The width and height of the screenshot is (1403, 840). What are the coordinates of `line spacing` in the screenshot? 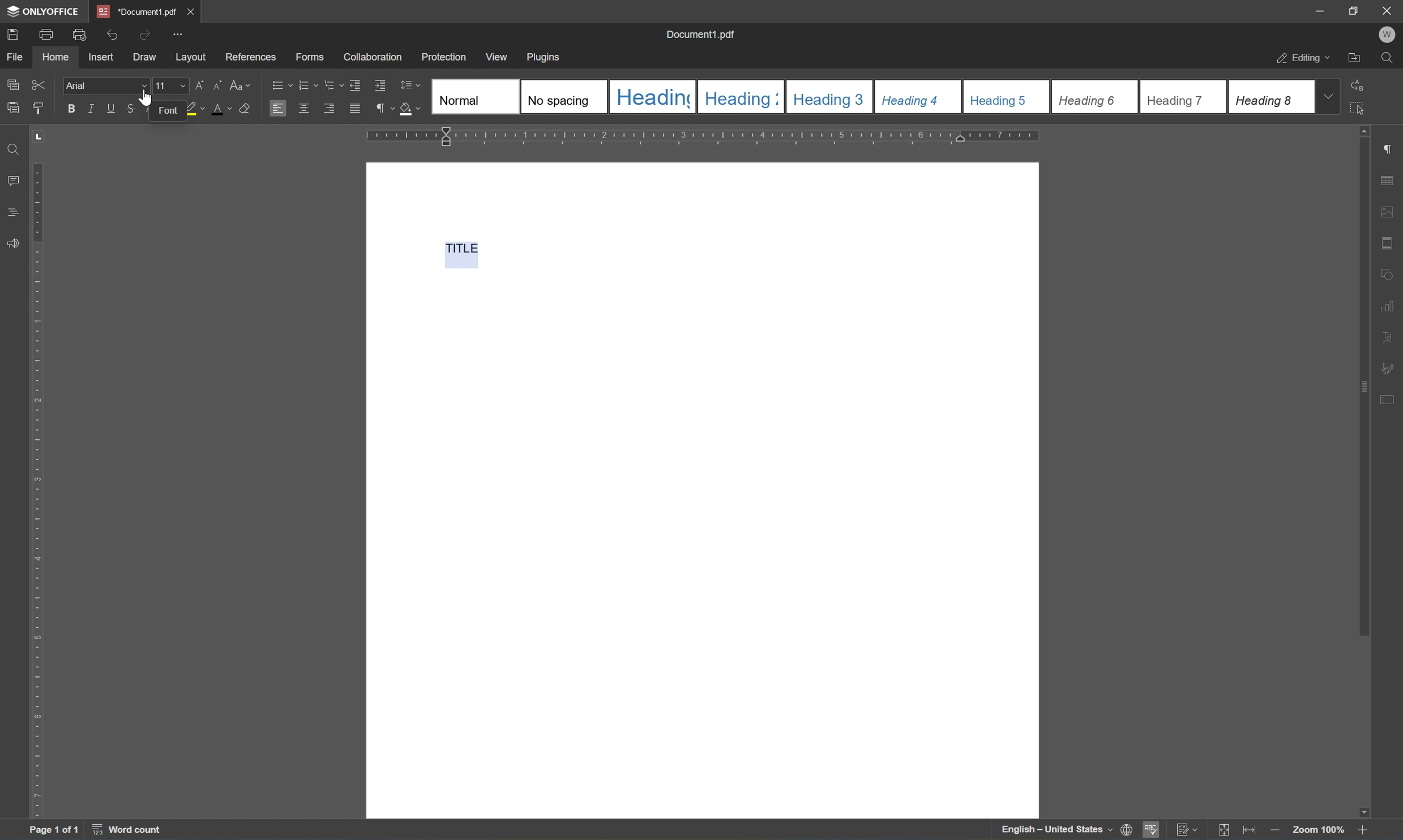 It's located at (408, 85).